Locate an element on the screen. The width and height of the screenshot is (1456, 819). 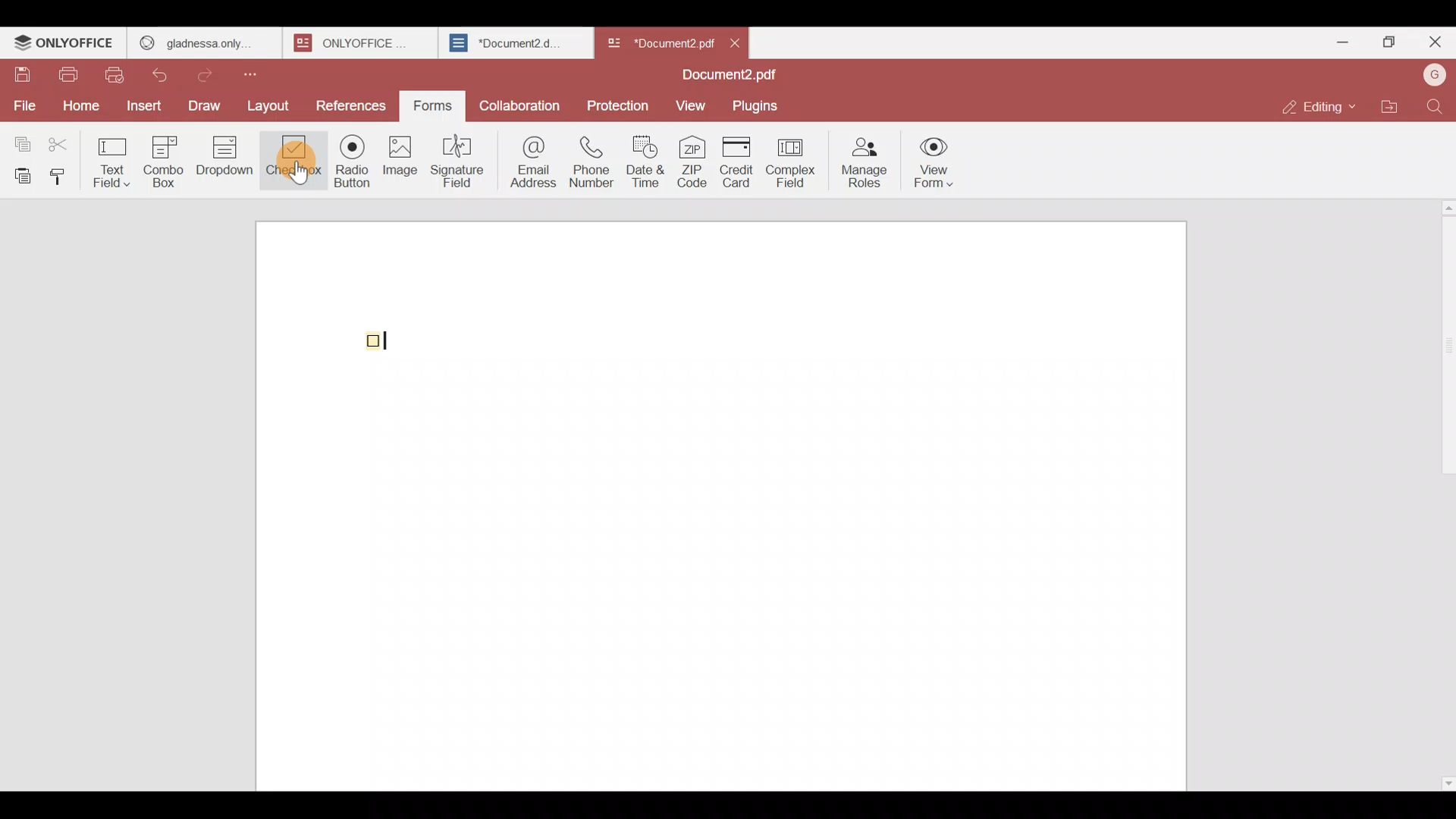
Complex field is located at coordinates (789, 164).